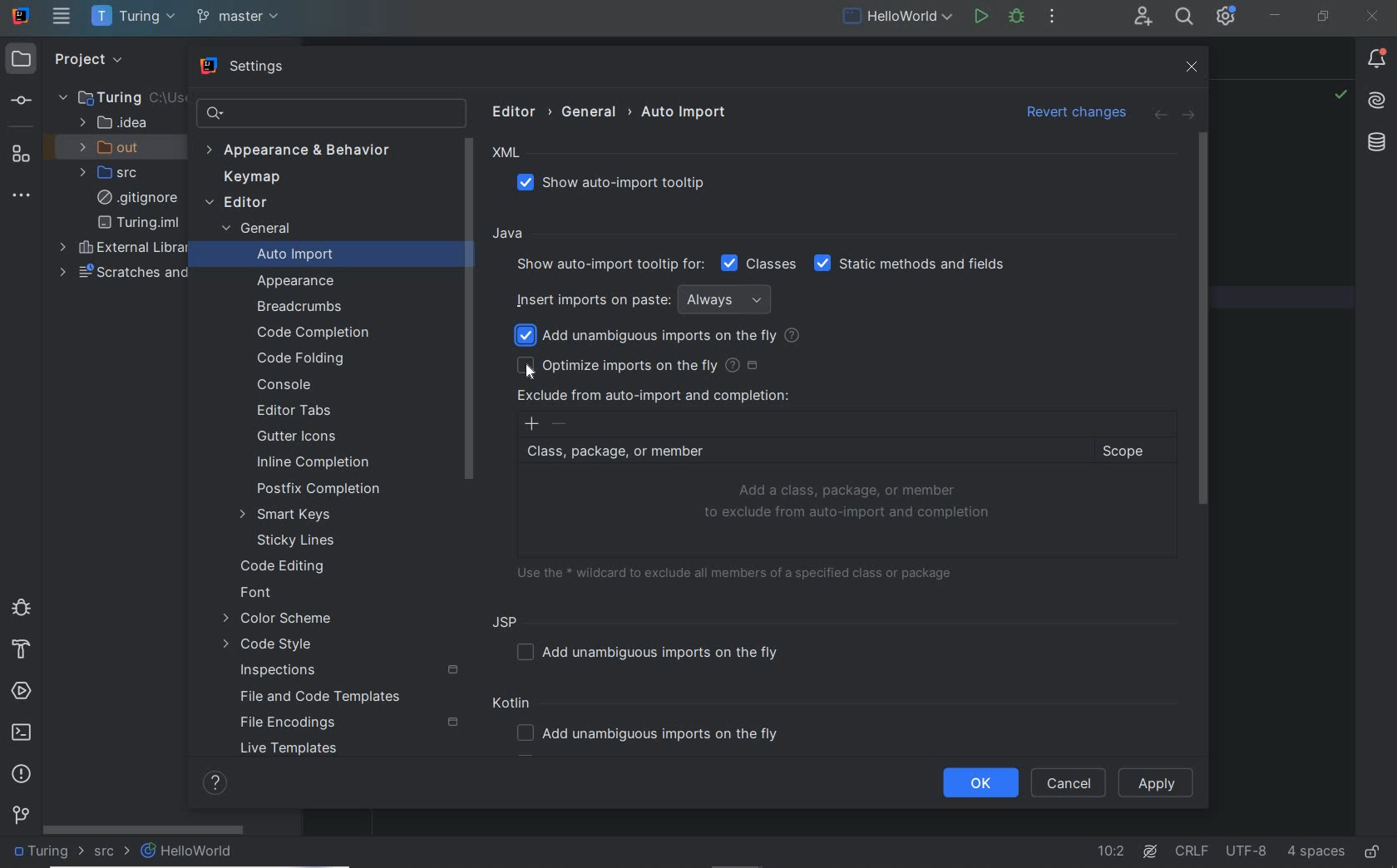 This screenshot has width=1397, height=868. I want to click on INSPECTIONS, so click(350, 671).